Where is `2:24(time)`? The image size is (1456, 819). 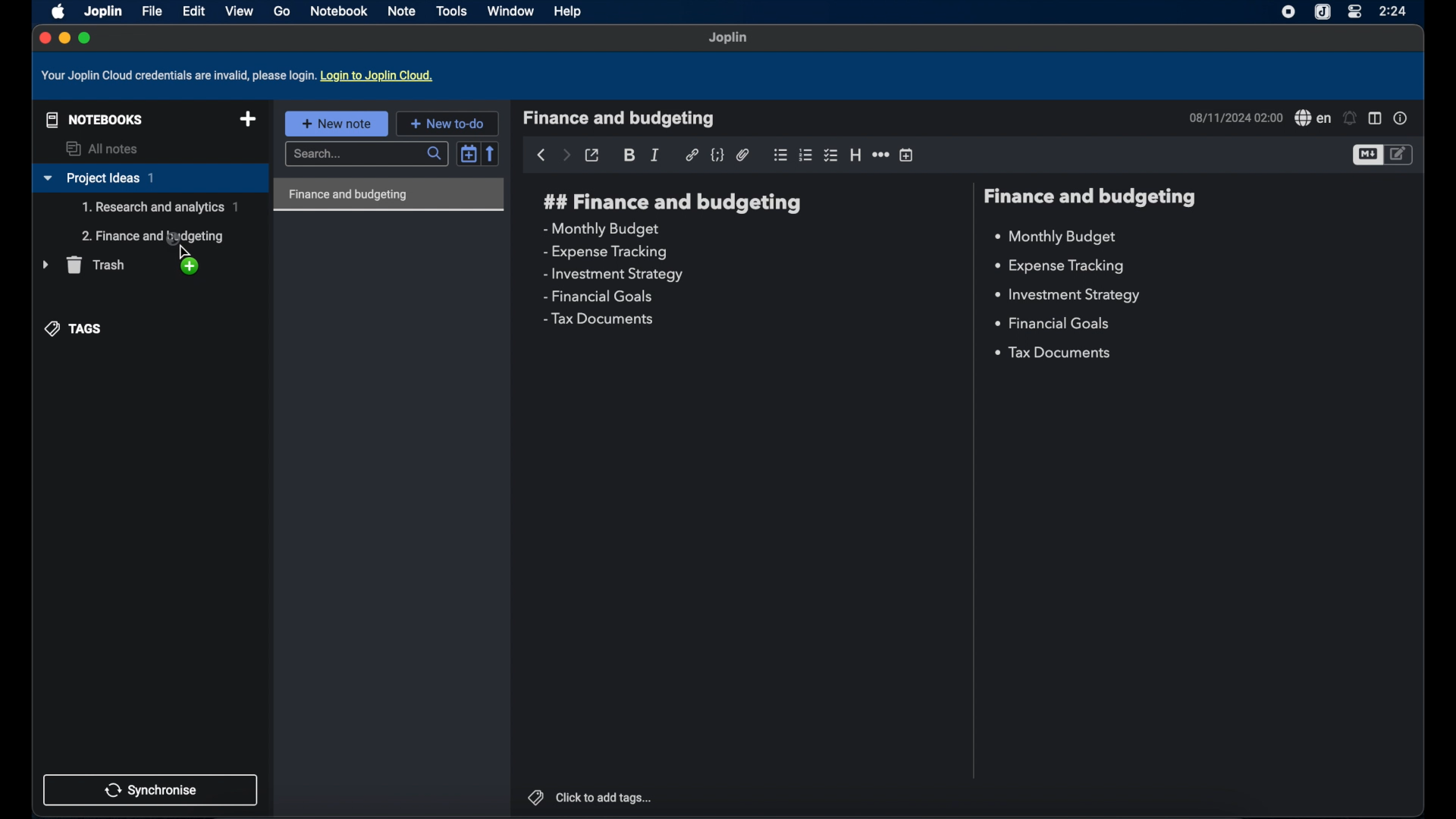
2:24(time) is located at coordinates (1395, 11).